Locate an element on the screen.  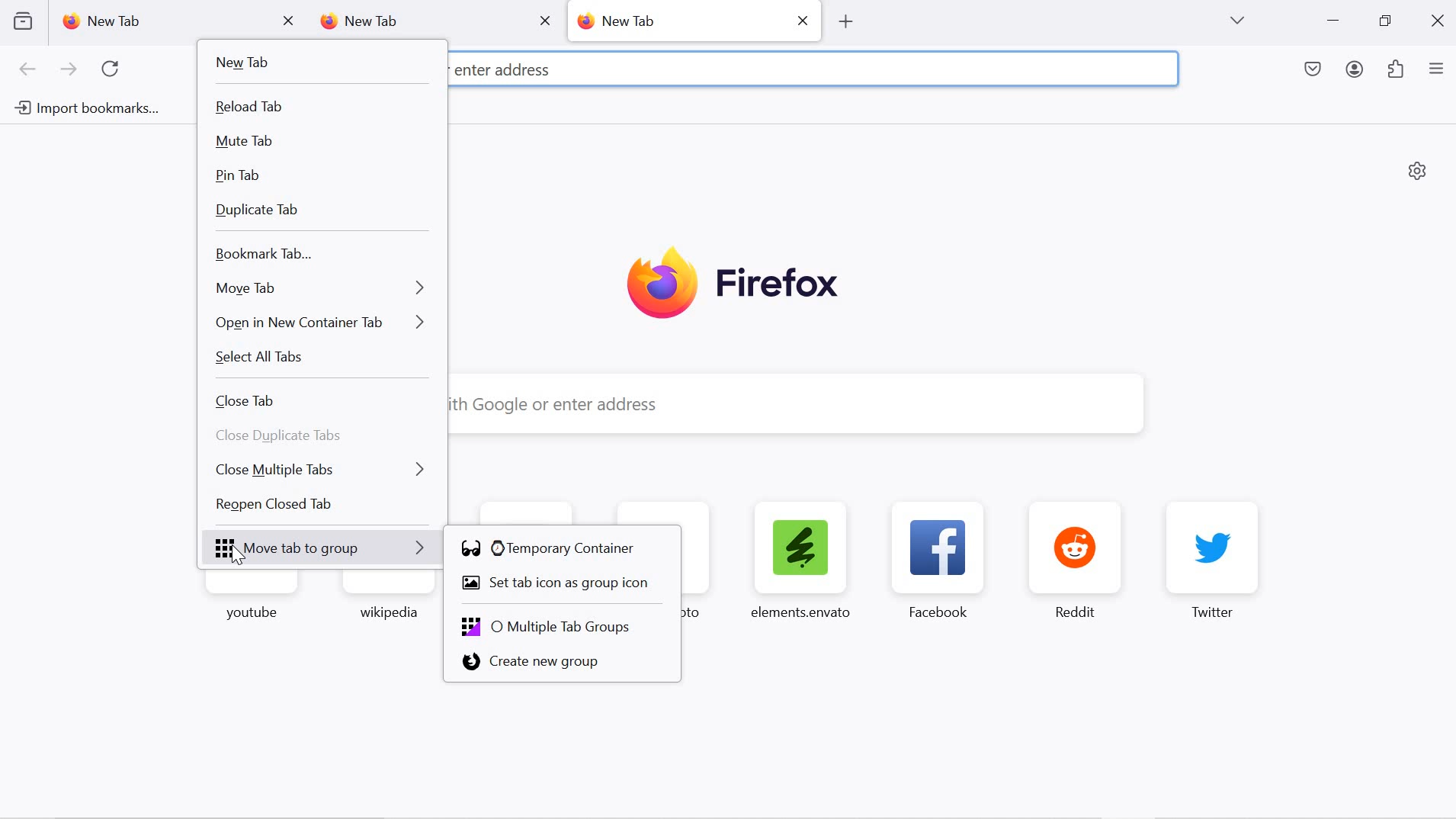
wikipedia favorite is located at coordinates (386, 602).